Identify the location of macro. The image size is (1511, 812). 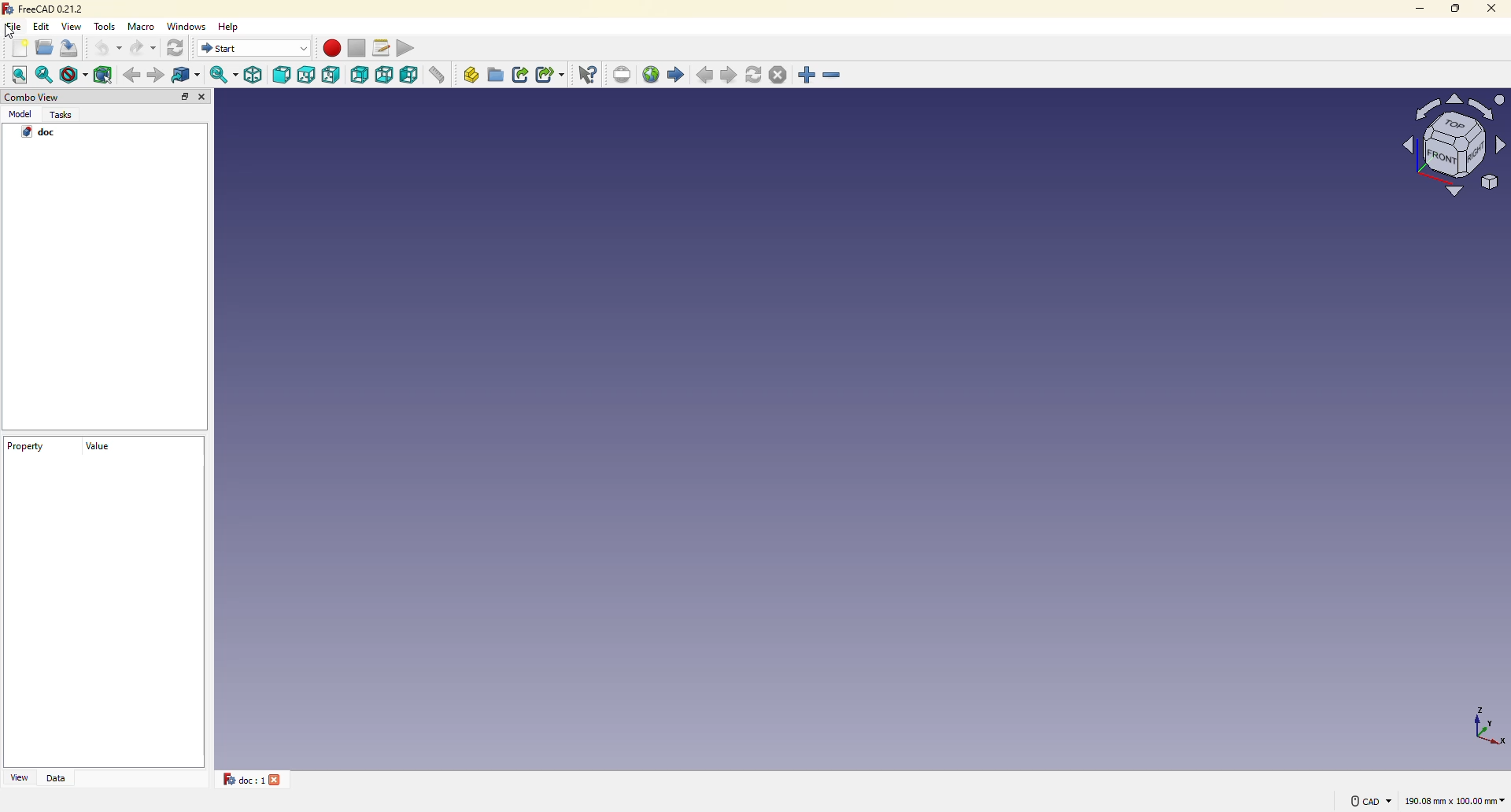
(144, 28).